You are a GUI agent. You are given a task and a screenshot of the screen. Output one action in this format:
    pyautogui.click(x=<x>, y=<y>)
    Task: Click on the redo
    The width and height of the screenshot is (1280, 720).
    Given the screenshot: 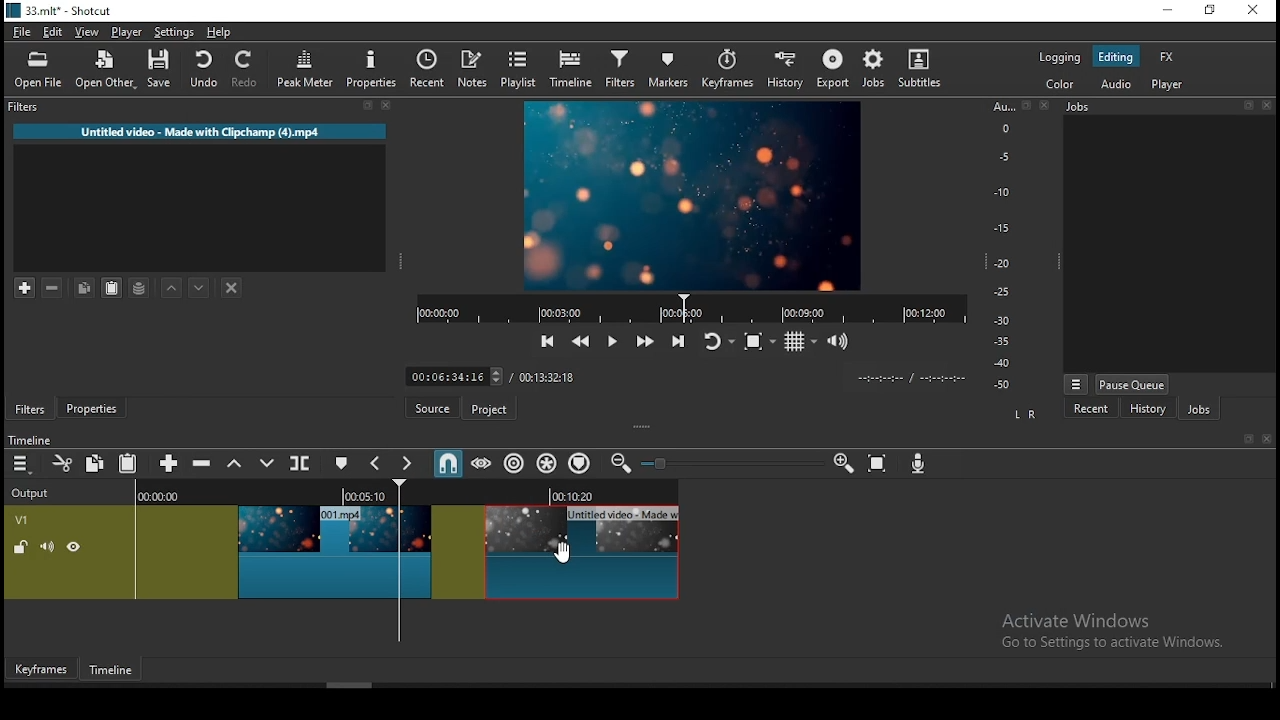 What is the action you would take?
    pyautogui.click(x=248, y=72)
    